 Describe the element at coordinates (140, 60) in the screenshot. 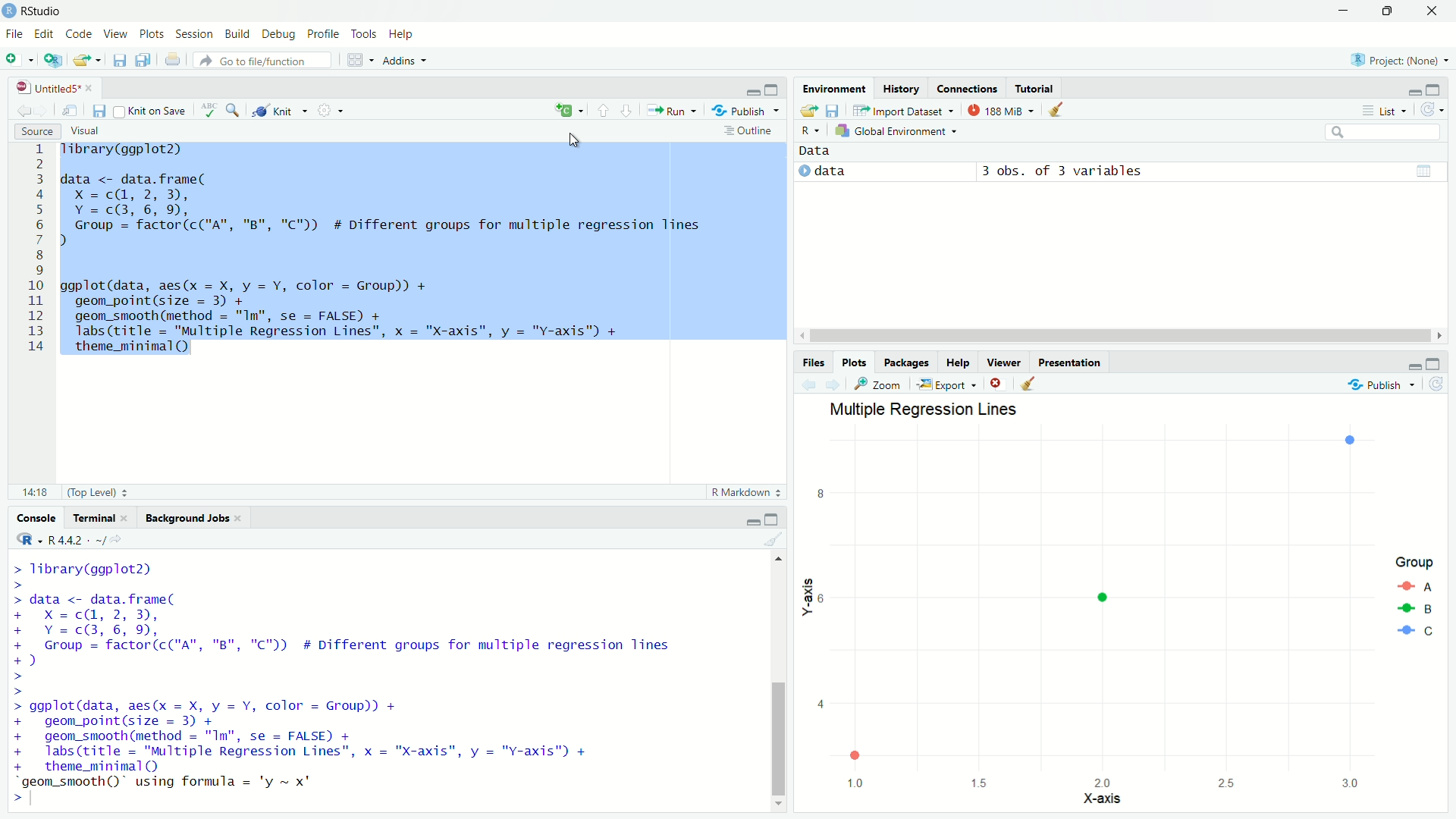

I see `files` at that location.